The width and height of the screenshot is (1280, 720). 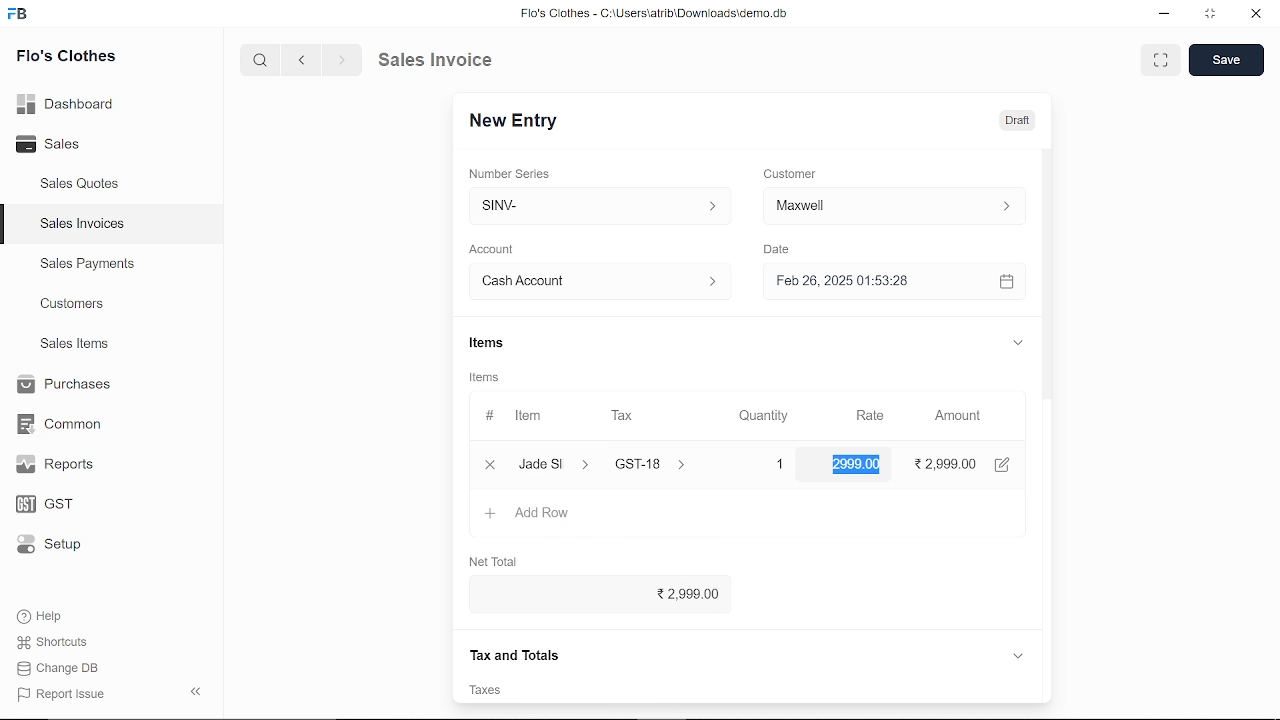 I want to click on Common, so click(x=62, y=424).